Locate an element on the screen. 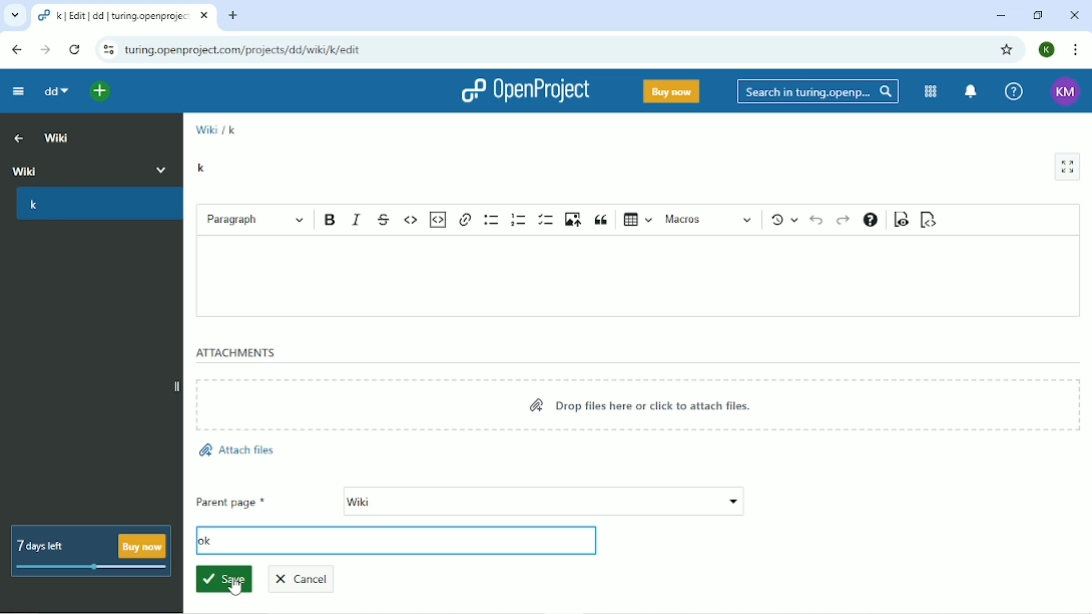 This screenshot has width=1092, height=614. Buy now is located at coordinates (671, 91).